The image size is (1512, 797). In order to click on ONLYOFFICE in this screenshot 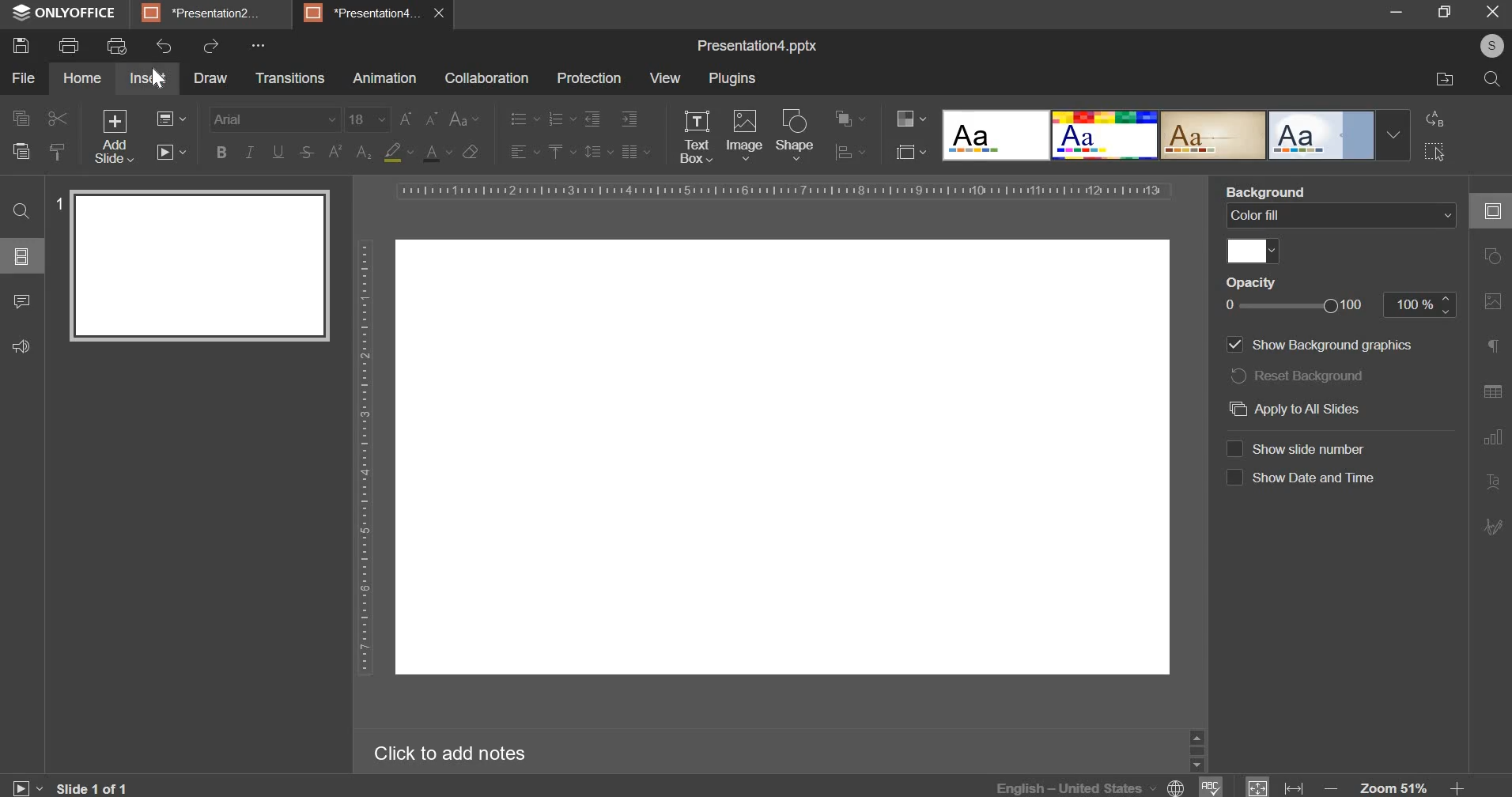, I will do `click(63, 14)`.